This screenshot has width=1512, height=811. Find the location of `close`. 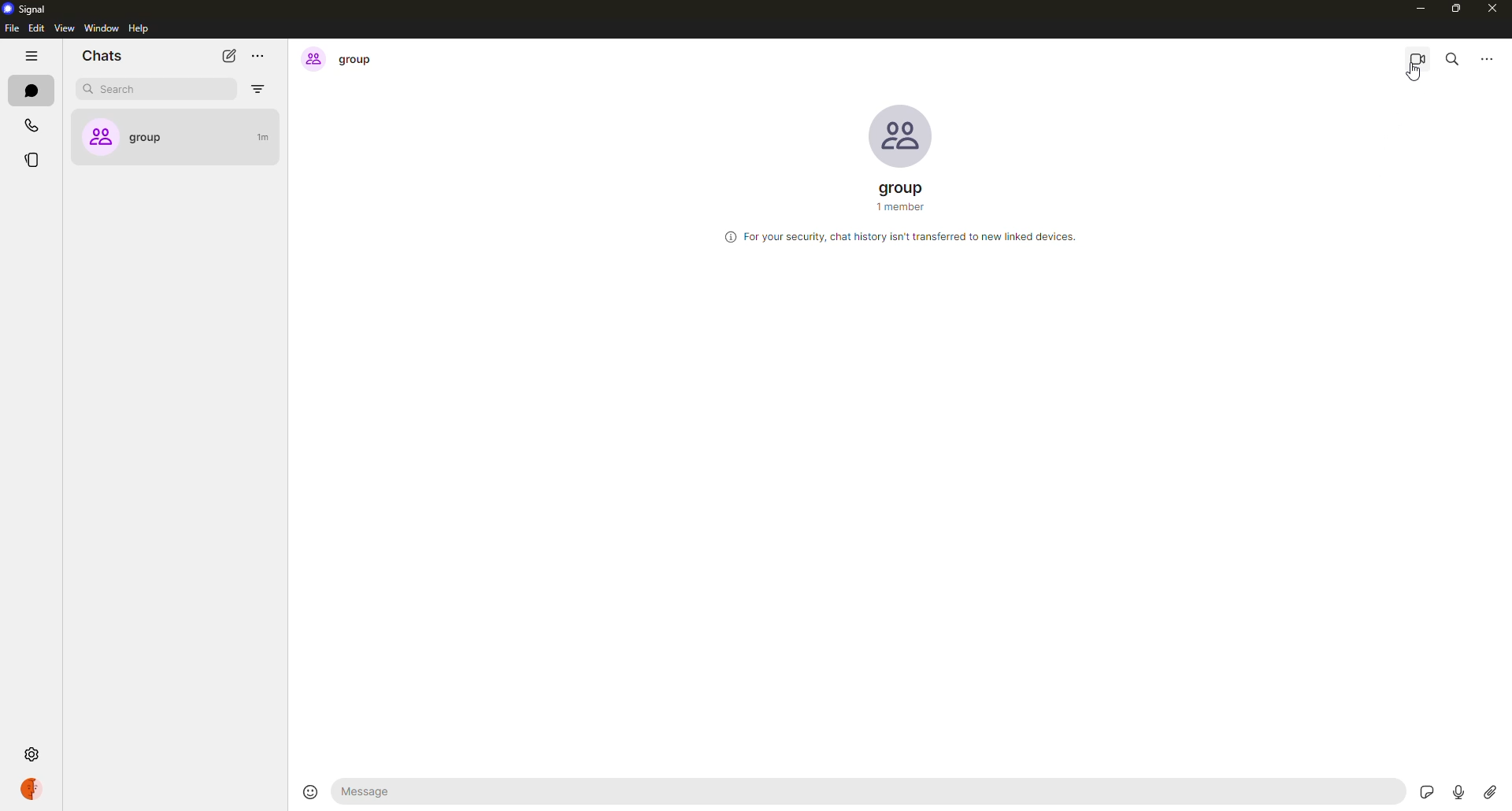

close is located at coordinates (1495, 9).